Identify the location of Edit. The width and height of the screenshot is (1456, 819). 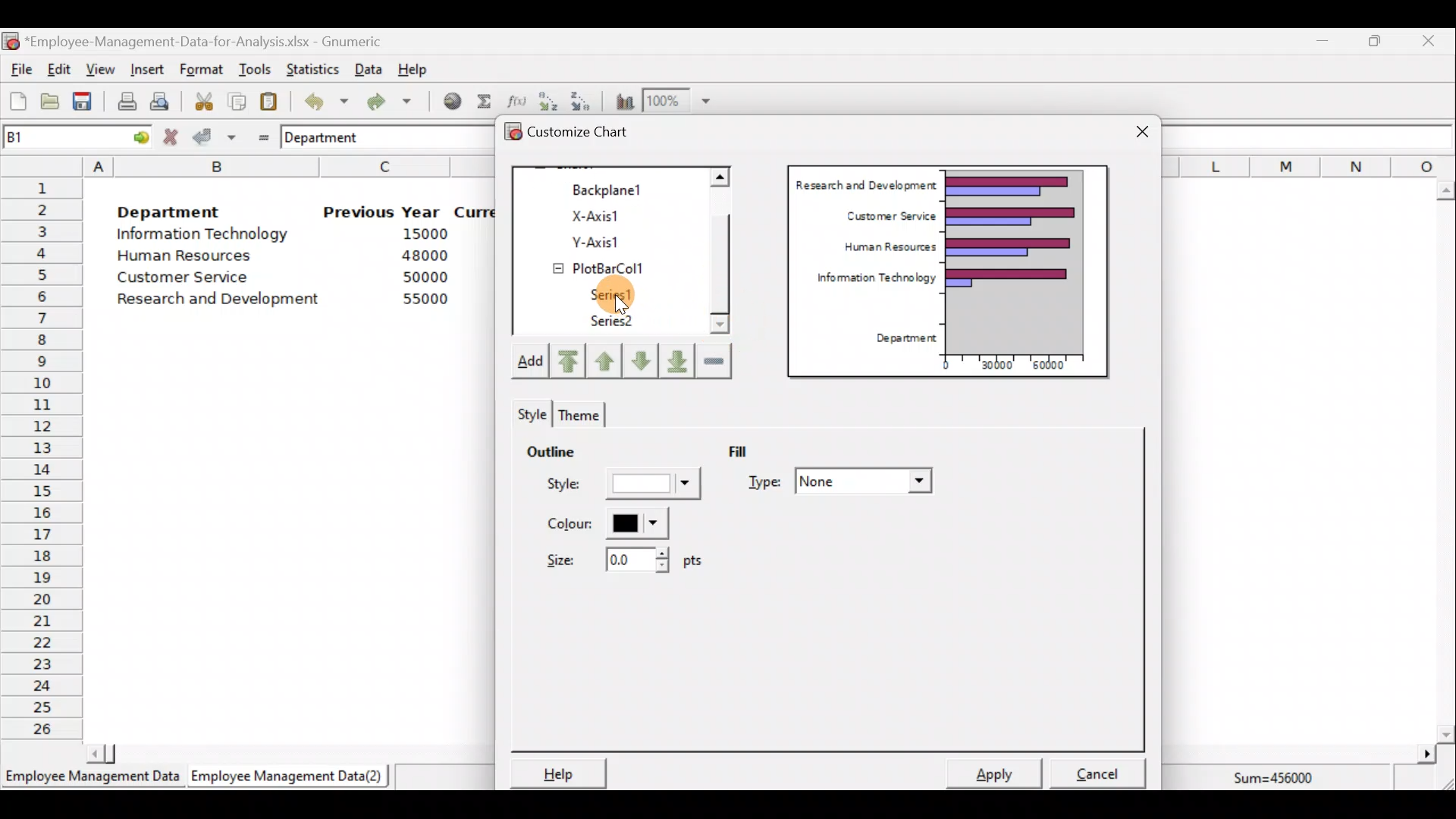
(60, 71).